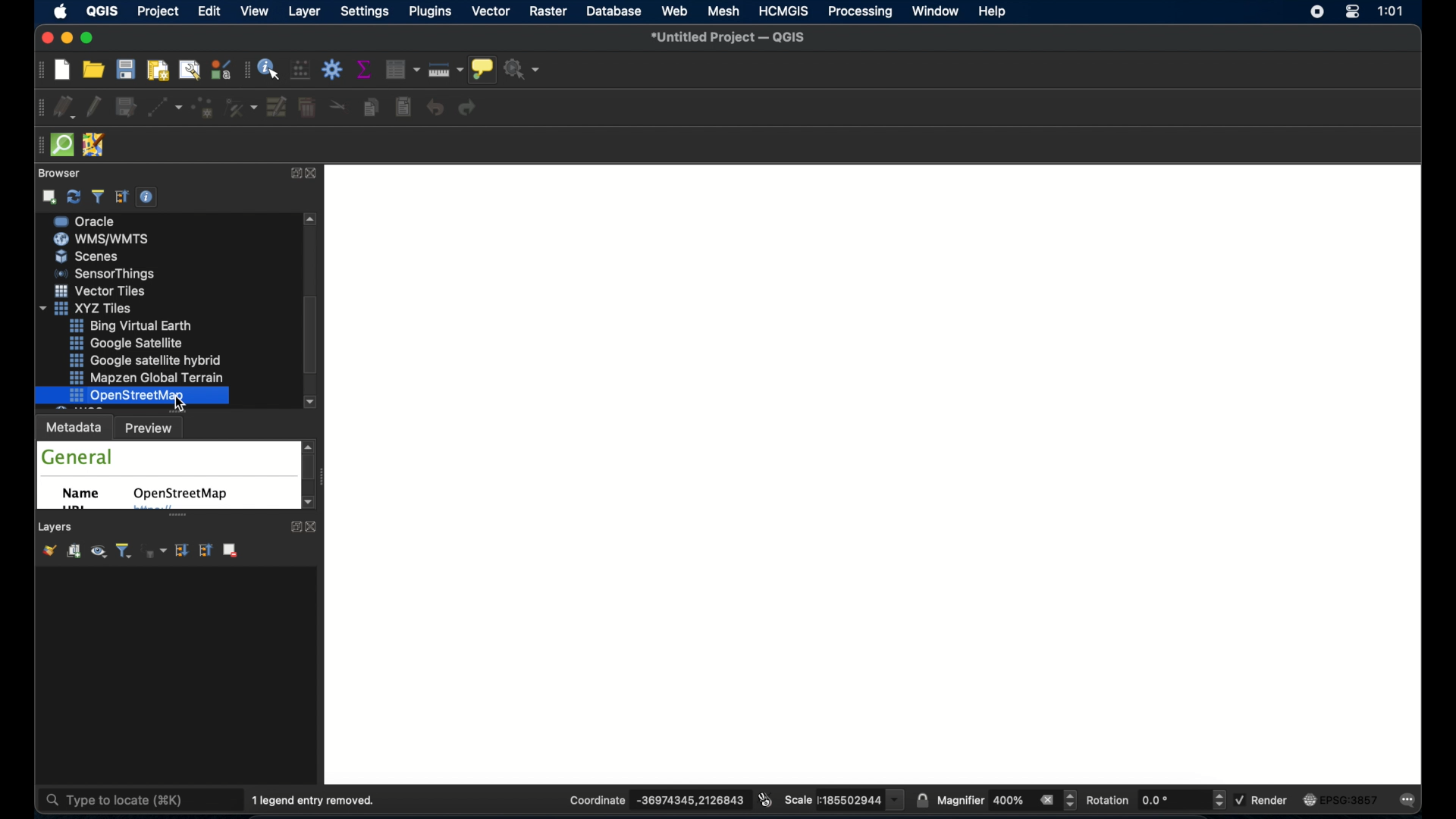  What do you see at coordinates (152, 510) in the screenshot?
I see `obscured text` at bounding box center [152, 510].